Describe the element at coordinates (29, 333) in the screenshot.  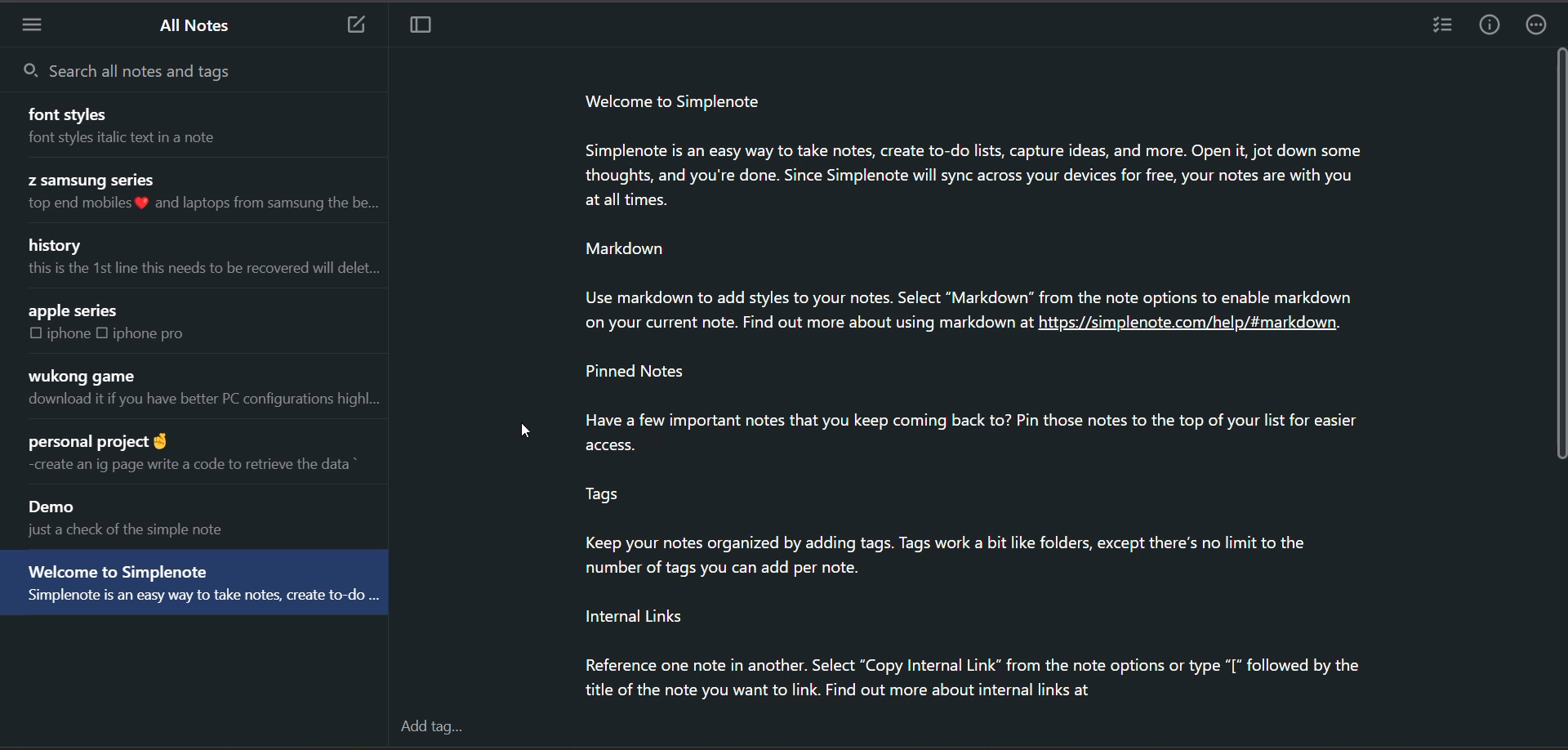
I see `checkbox` at that location.